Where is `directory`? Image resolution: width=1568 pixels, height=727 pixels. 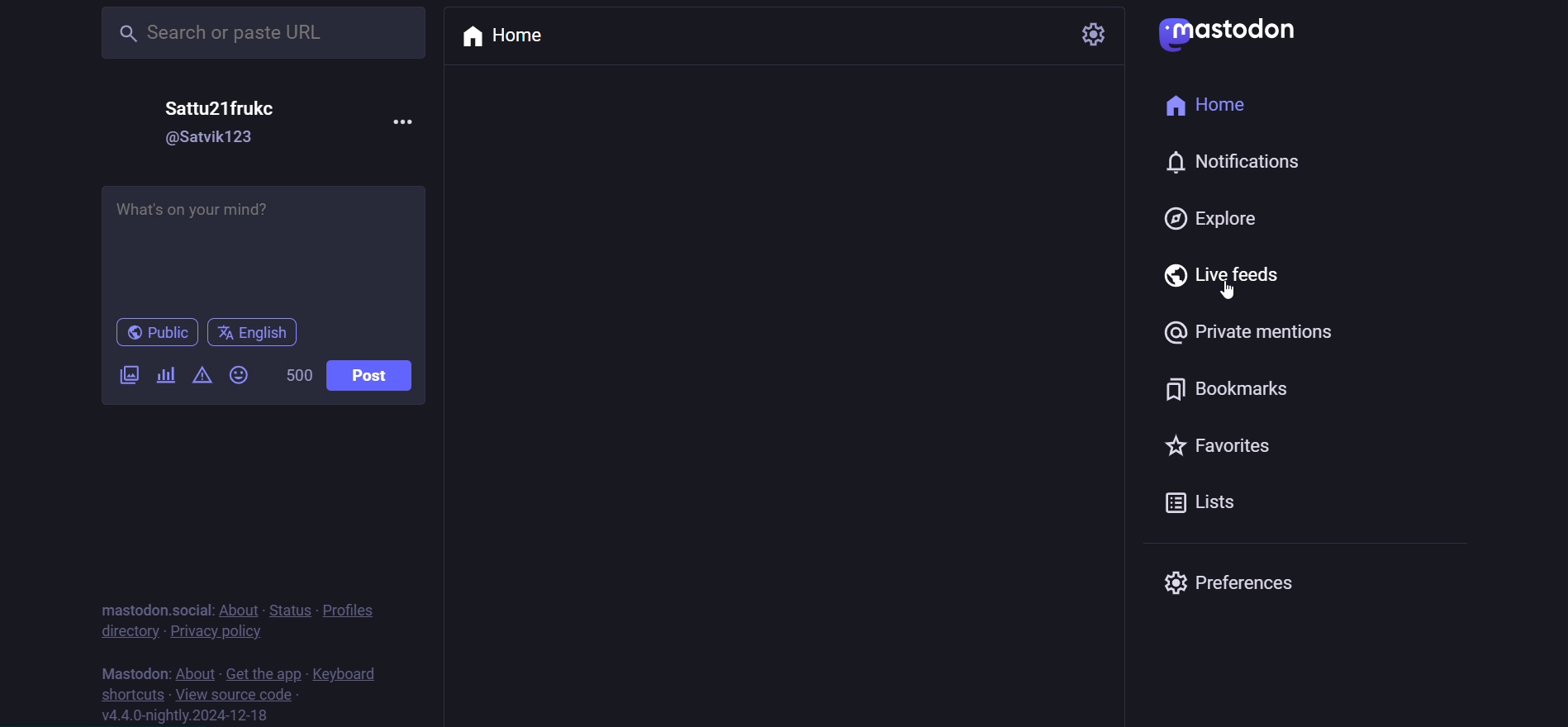
directory is located at coordinates (122, 633).